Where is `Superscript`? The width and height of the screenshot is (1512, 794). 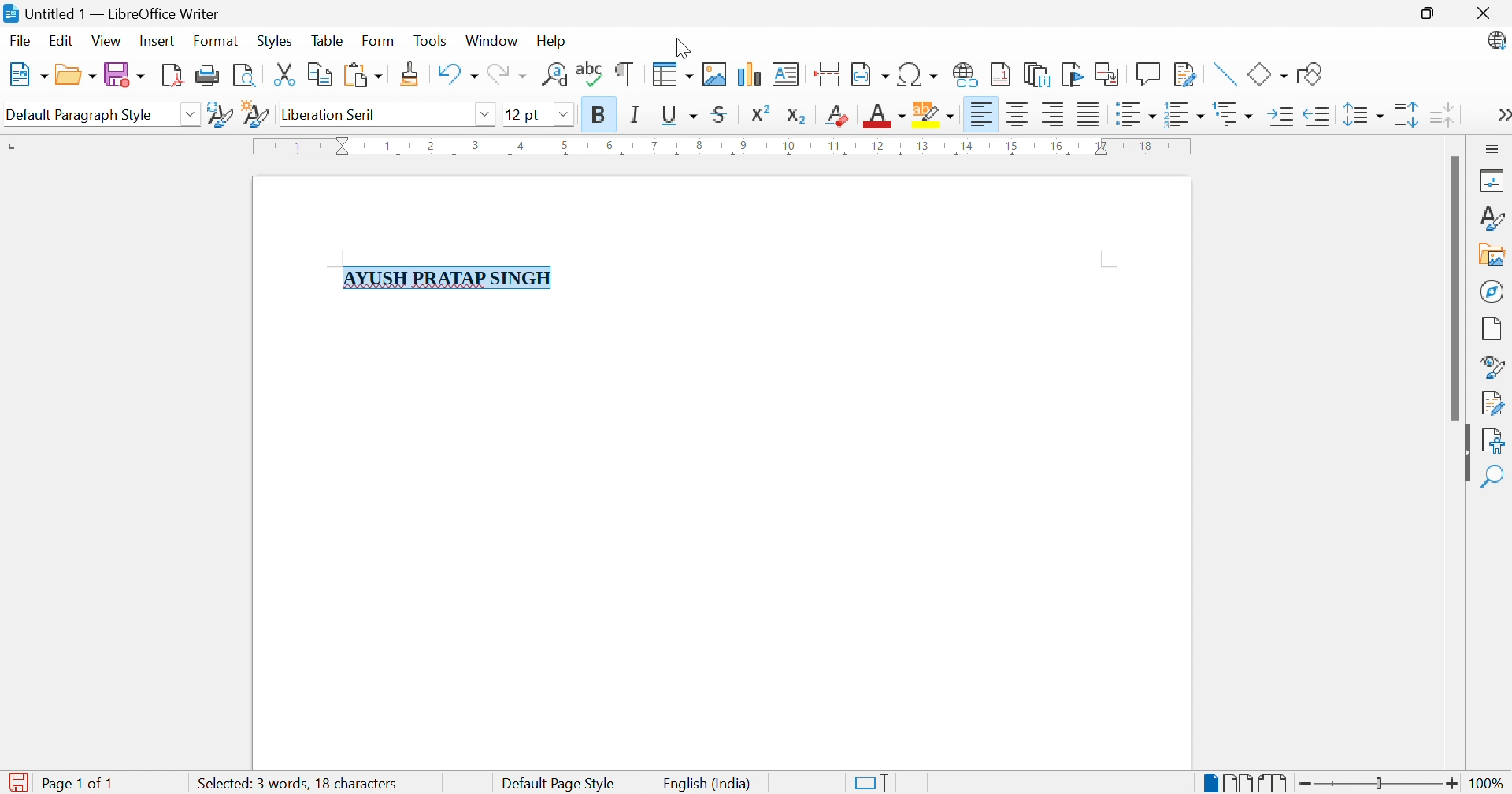
Superscript is located at coordinates (759, 113).